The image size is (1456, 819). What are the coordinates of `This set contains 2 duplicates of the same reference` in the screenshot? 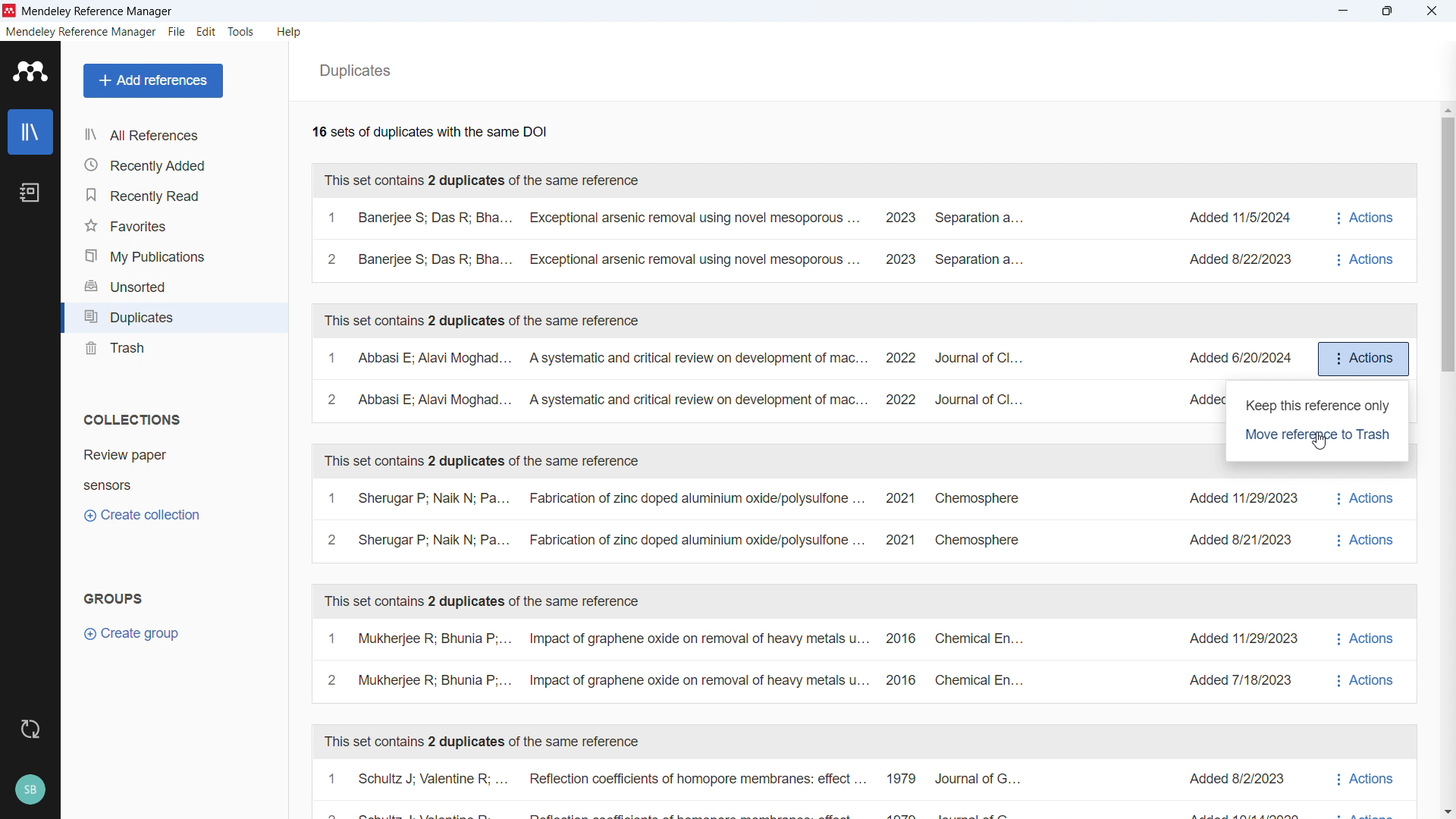 It's located at (489, 743).